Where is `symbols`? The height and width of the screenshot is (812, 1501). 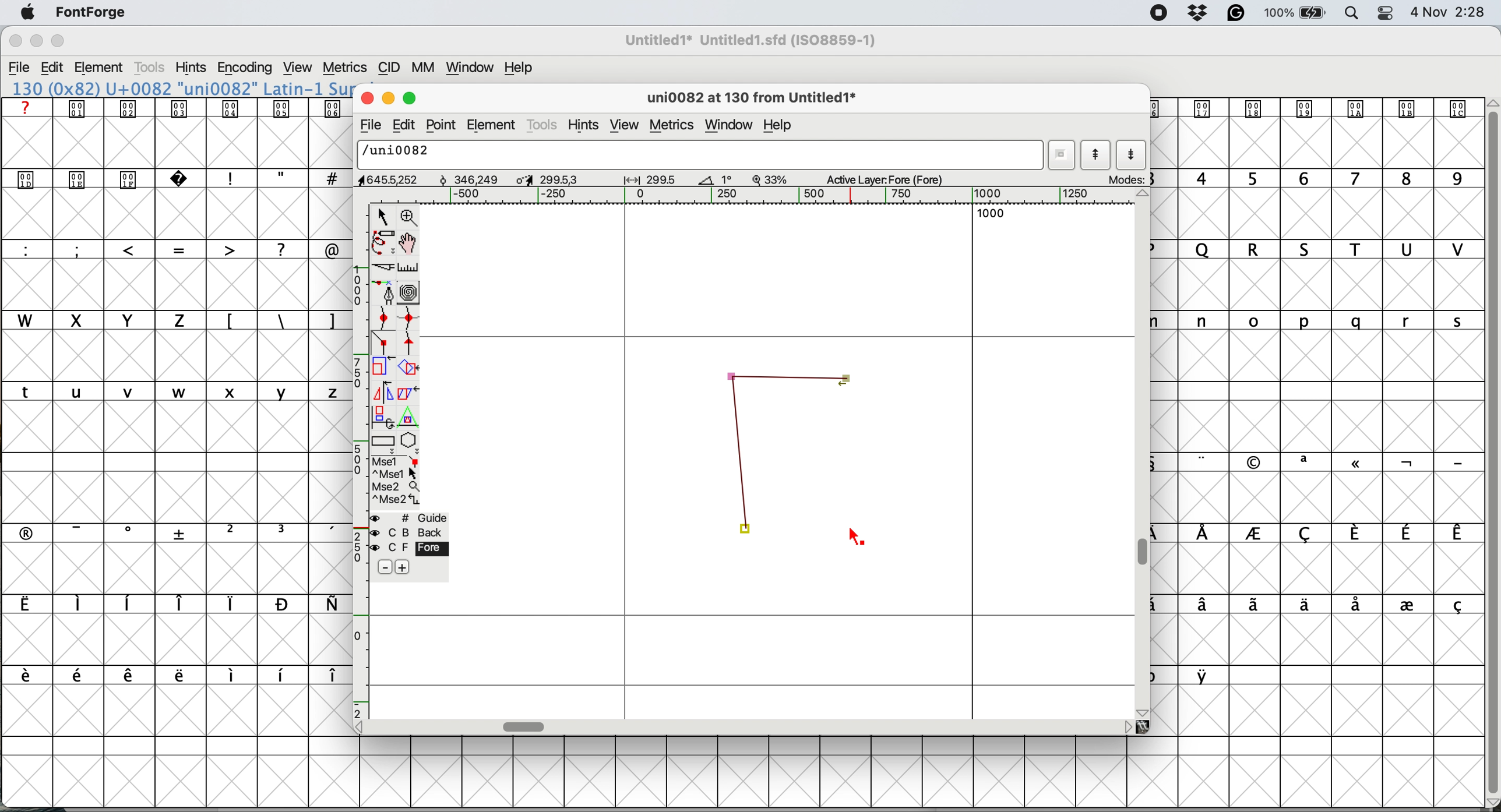
symbols is located at coordinates (1331, 463).